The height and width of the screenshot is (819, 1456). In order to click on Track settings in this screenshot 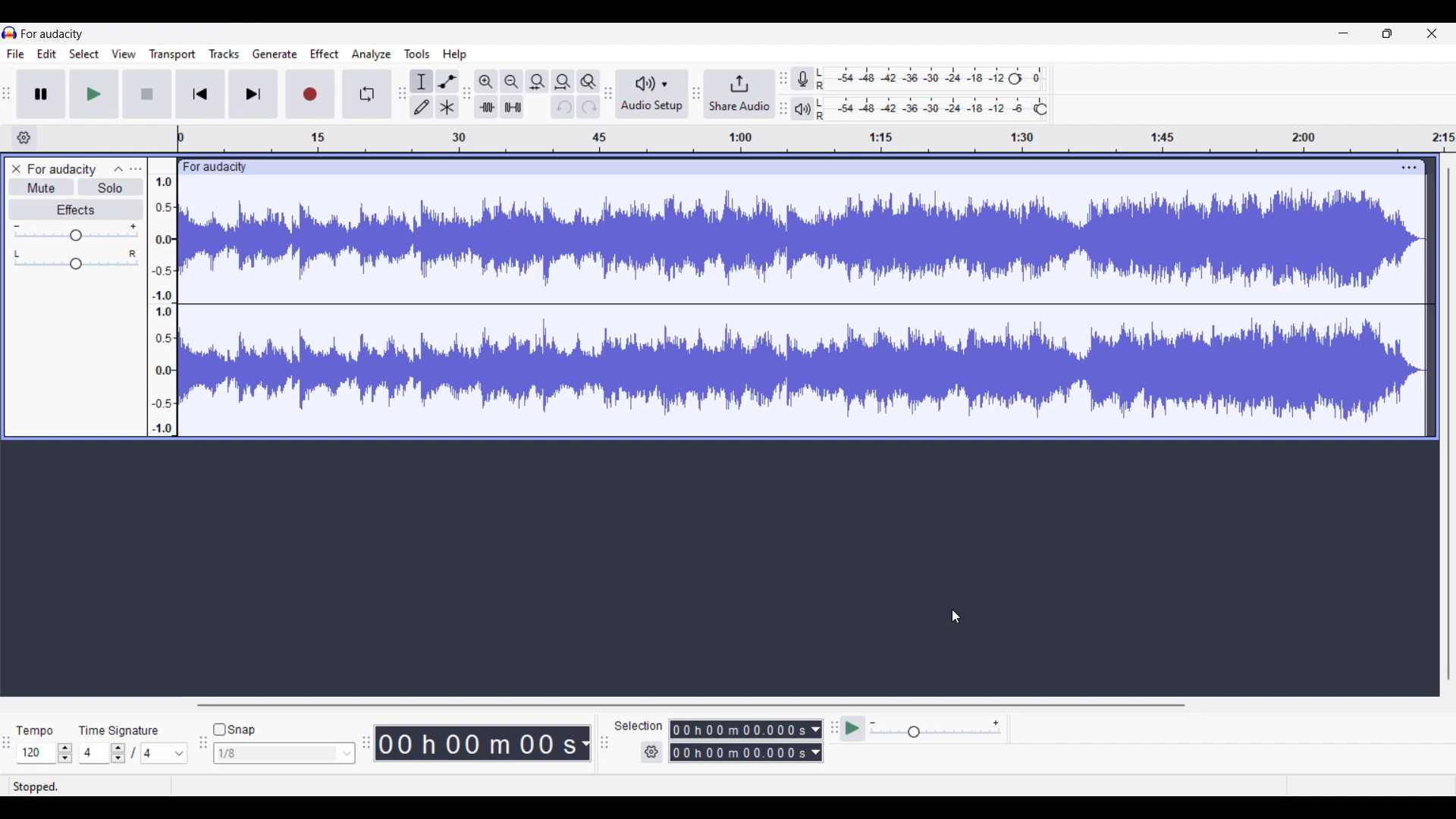, I will do `click(1409, 168)`.